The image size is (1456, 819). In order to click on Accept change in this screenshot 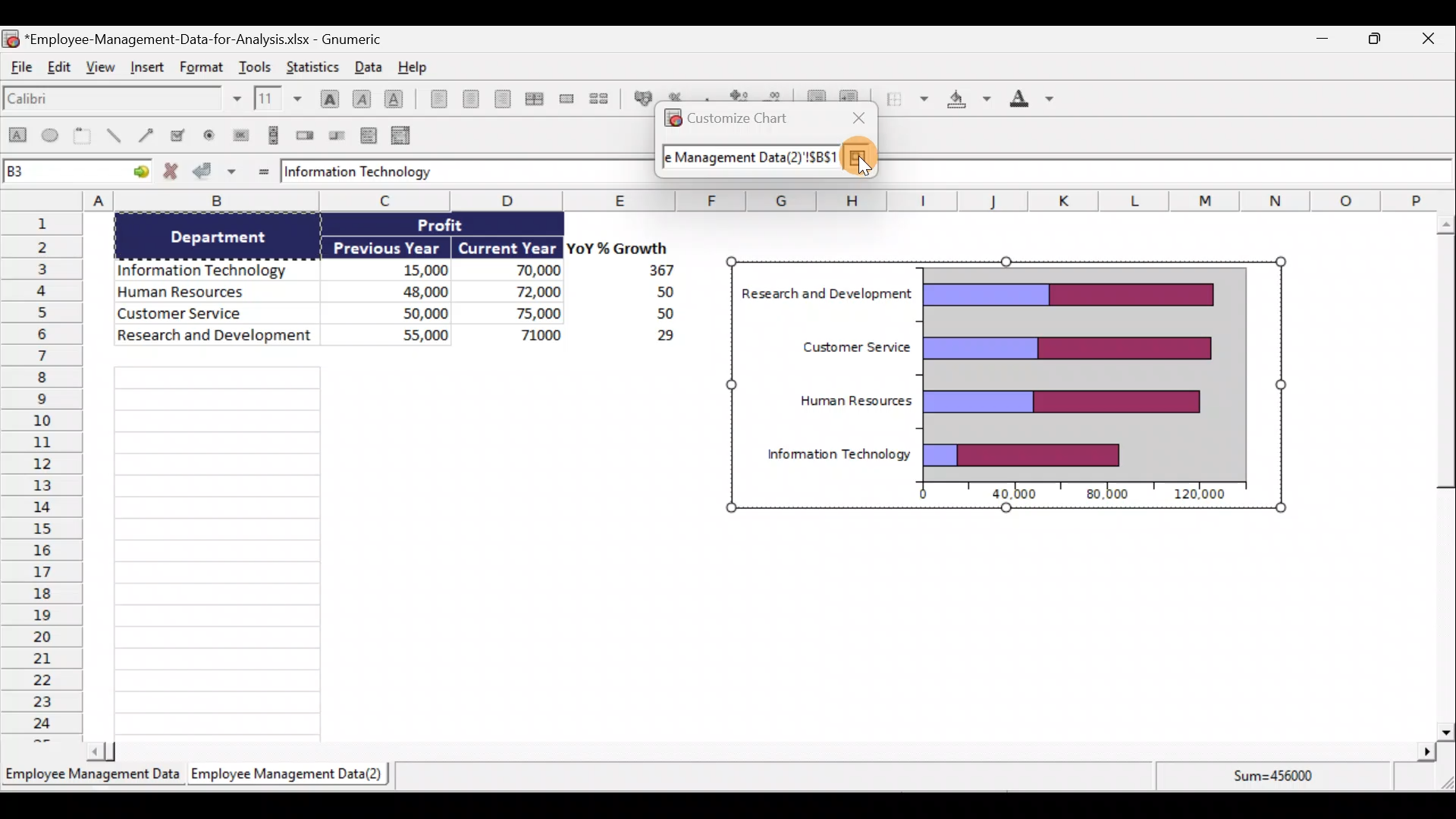, I will do `click(215, 171)`.